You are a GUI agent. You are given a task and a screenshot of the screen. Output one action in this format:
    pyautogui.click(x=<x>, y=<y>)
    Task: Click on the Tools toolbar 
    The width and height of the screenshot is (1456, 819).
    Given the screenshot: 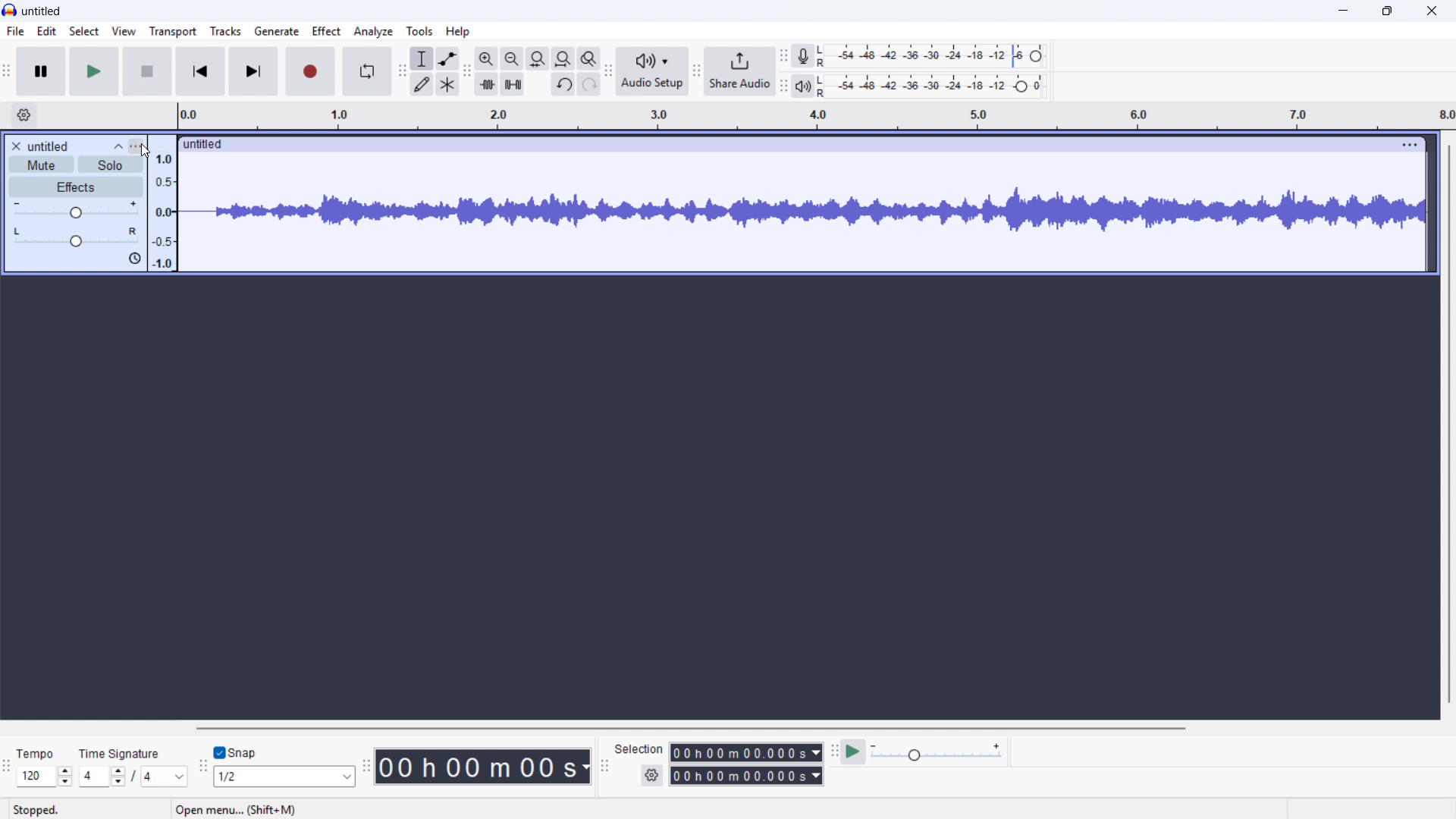 What is the action you would take?
    pyautogui.click(x=400, y=71)
    